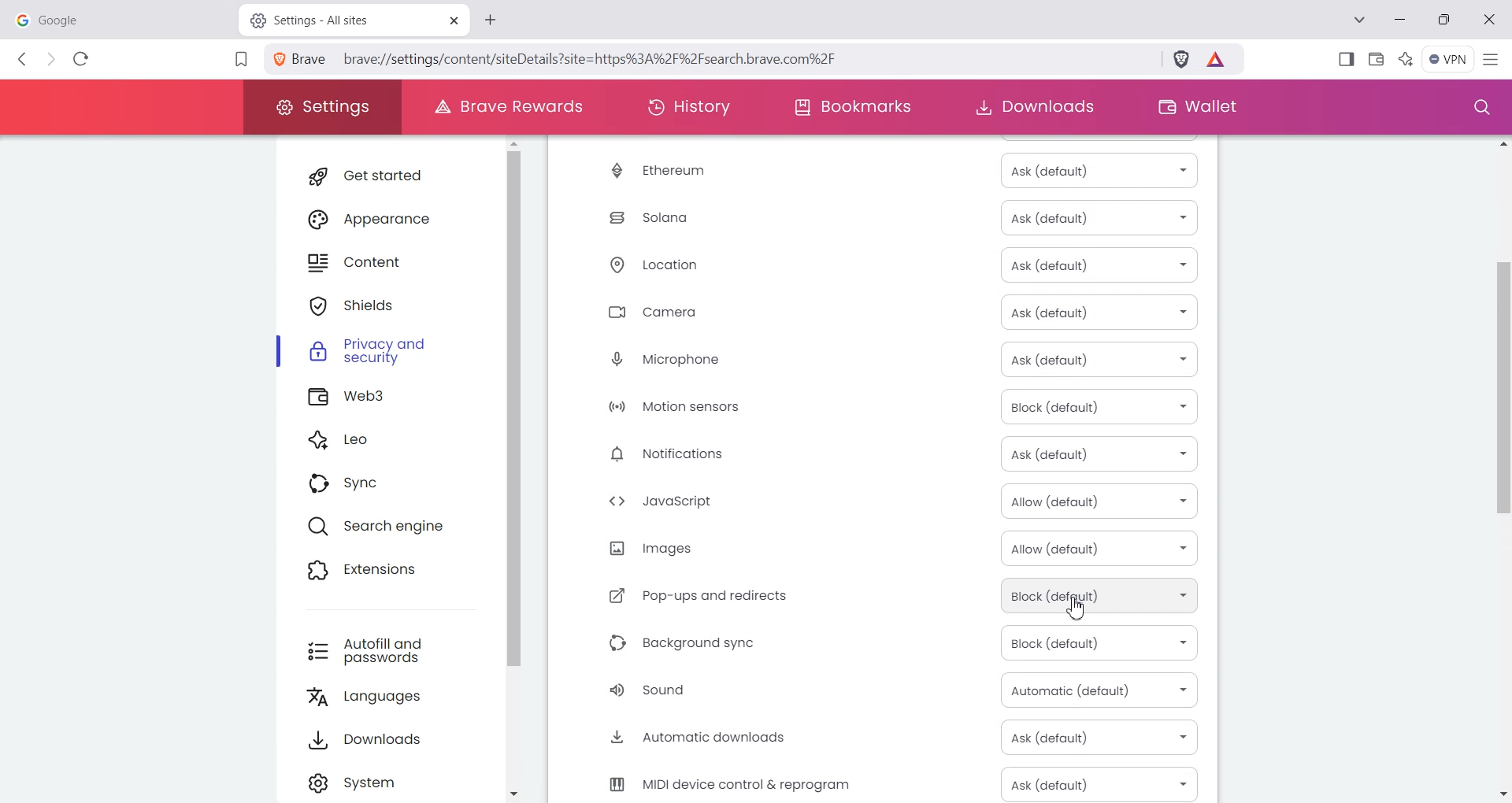  Describe the element at coordinates (524, 469) in the screenshot. I see `Vertical scroll bar` at that location.